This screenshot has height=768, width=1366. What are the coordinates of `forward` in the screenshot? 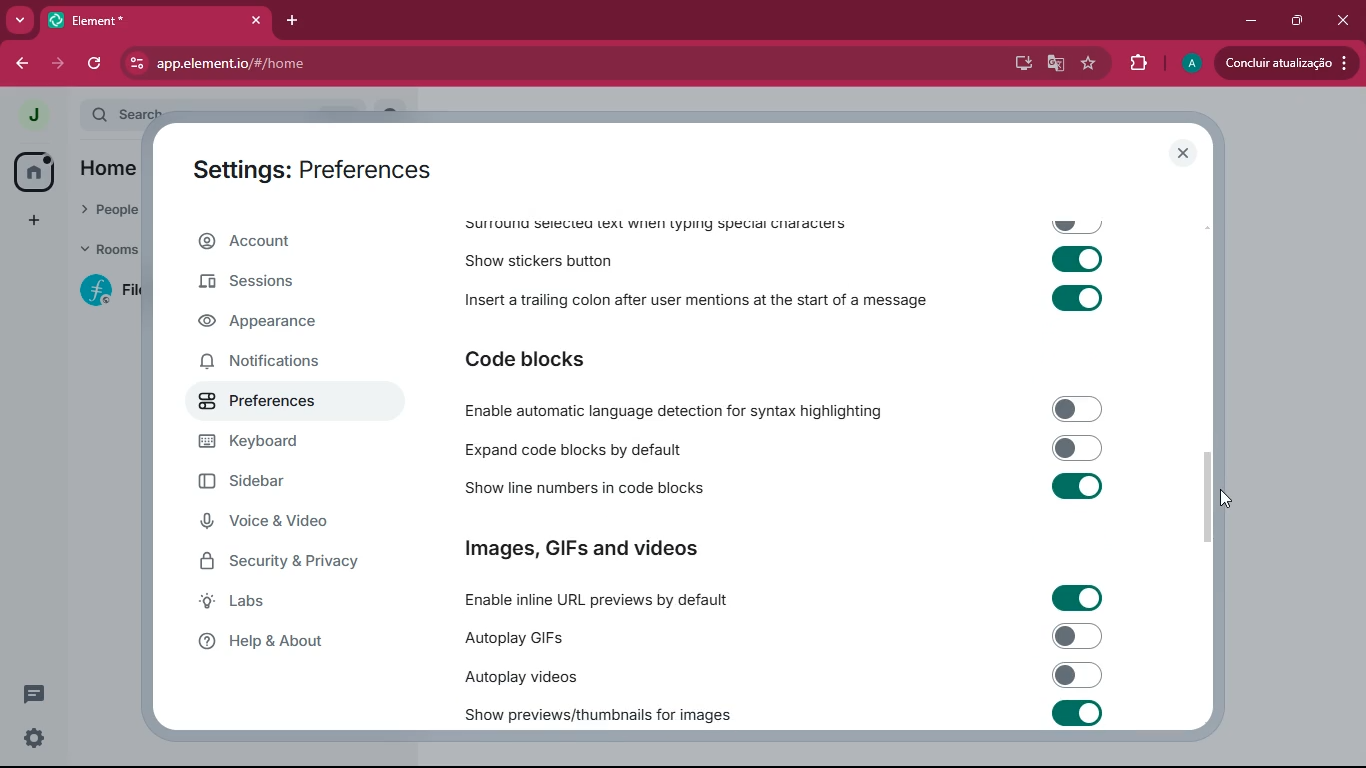 It's located at (58, 62).